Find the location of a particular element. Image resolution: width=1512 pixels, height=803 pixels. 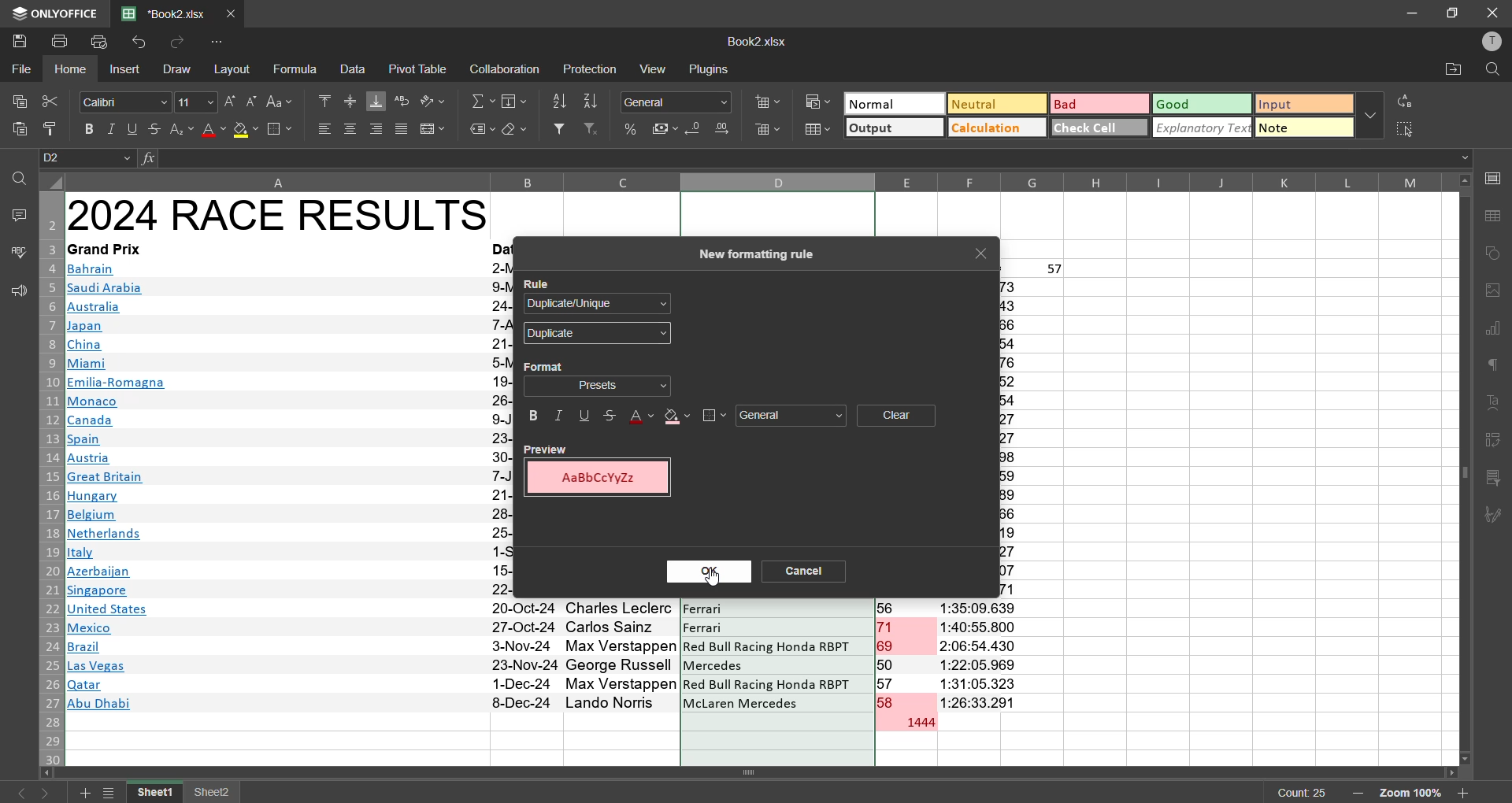

preview is located at coordinates (602, 479).